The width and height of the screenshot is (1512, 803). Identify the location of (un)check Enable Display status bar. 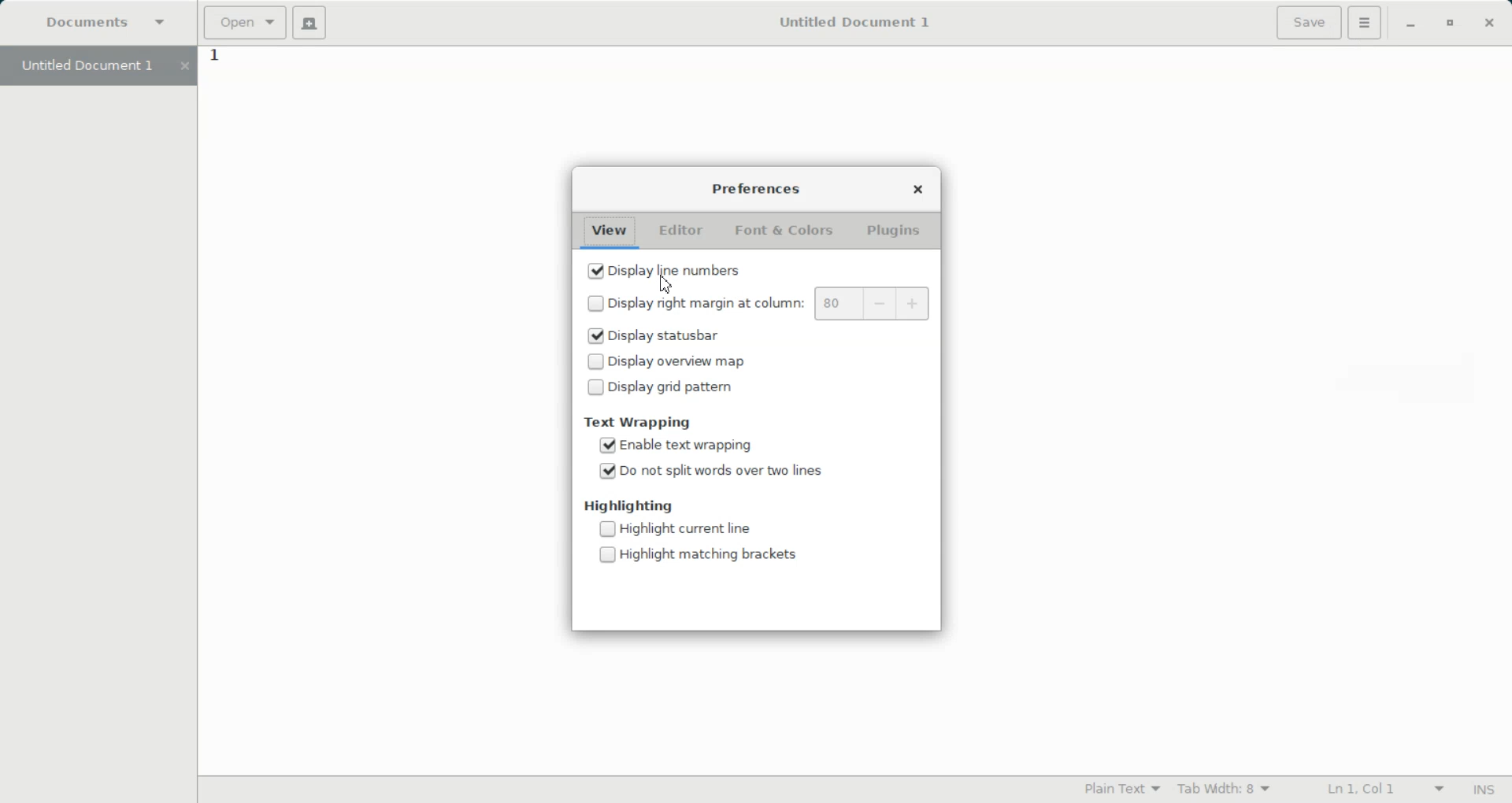
(701, 336).